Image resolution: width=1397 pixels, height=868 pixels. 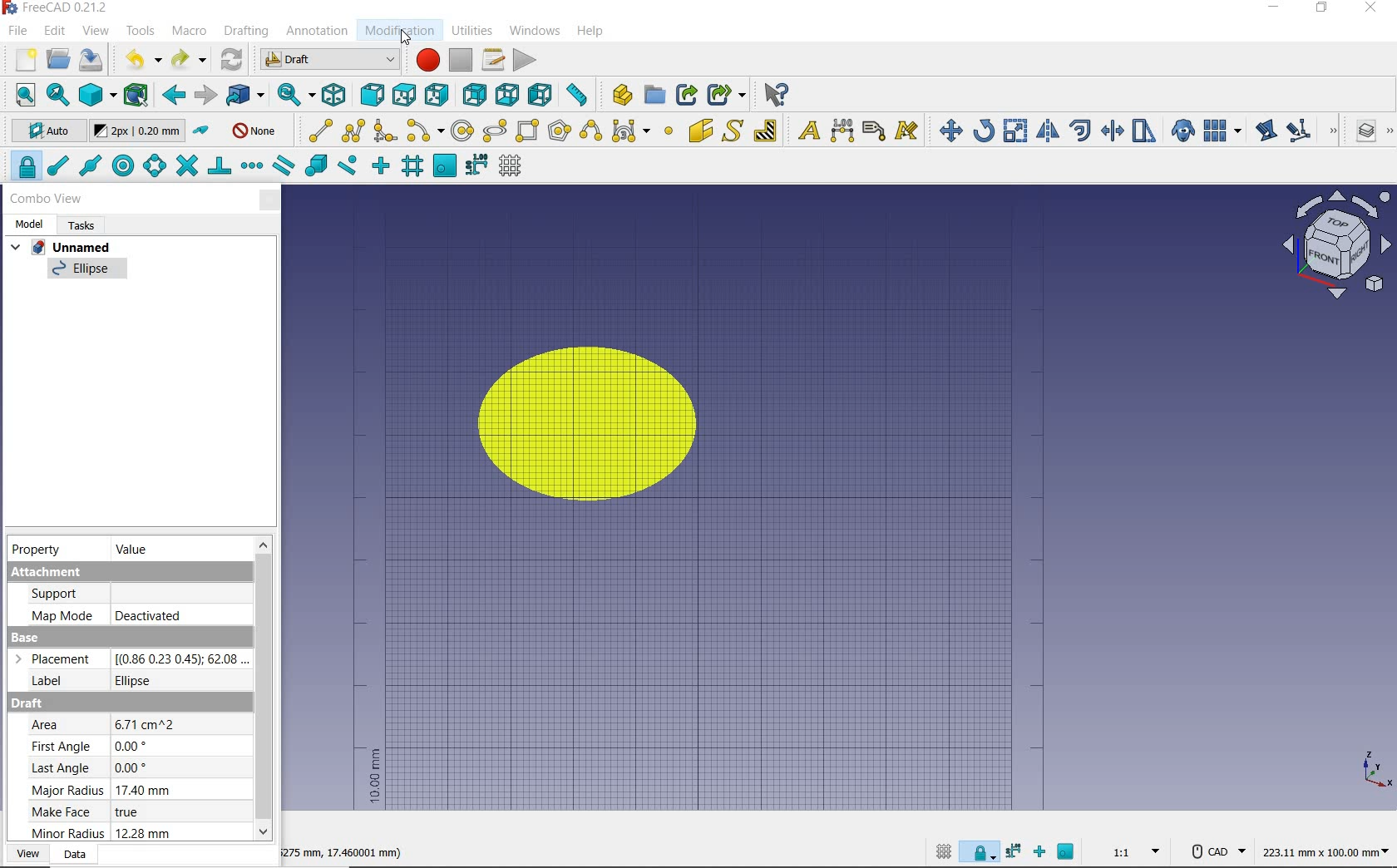 I want to click on make link, so click(x=687, y=95).